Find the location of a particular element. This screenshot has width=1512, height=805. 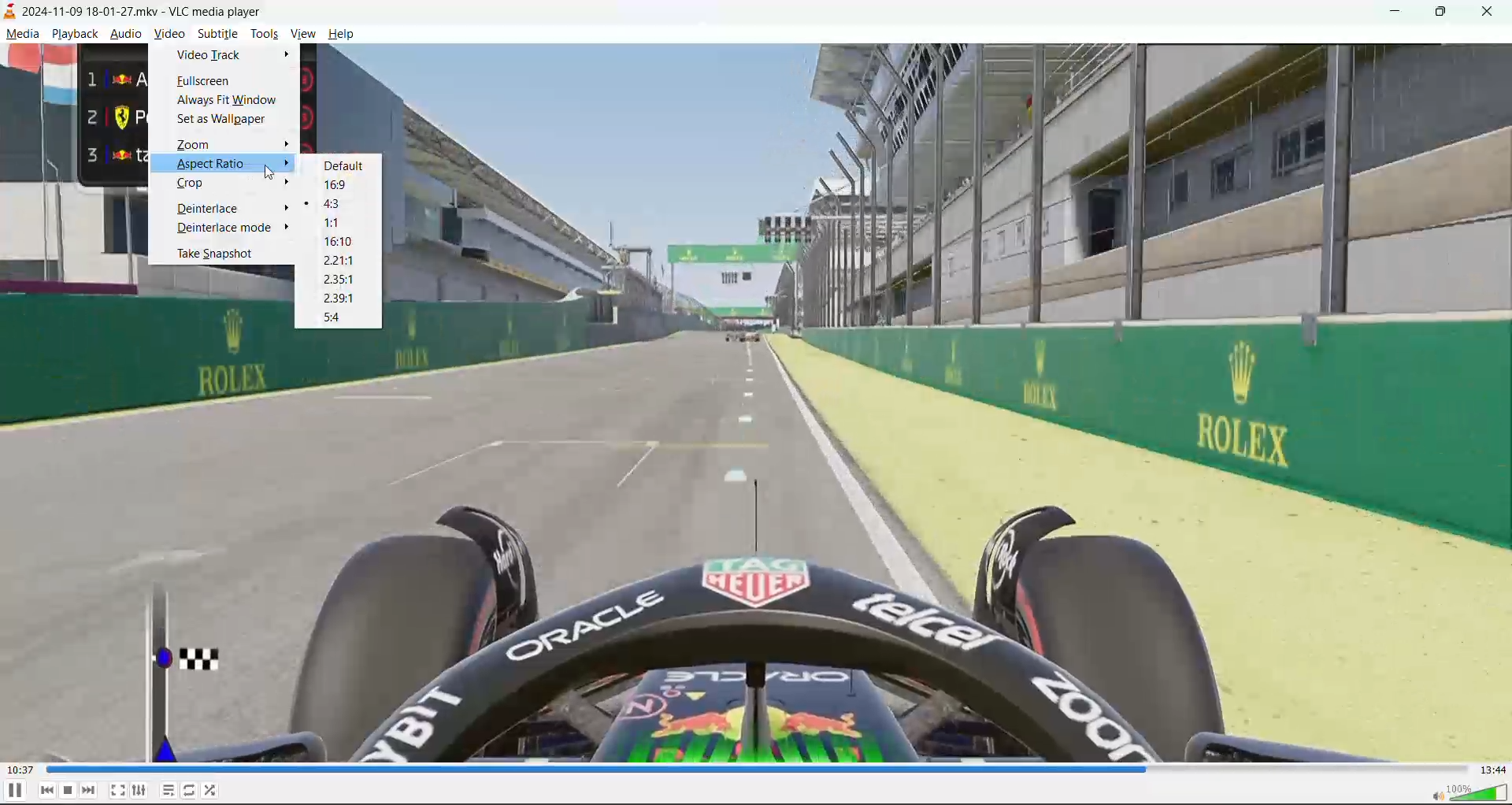

next is located at coordinates (87, 792).